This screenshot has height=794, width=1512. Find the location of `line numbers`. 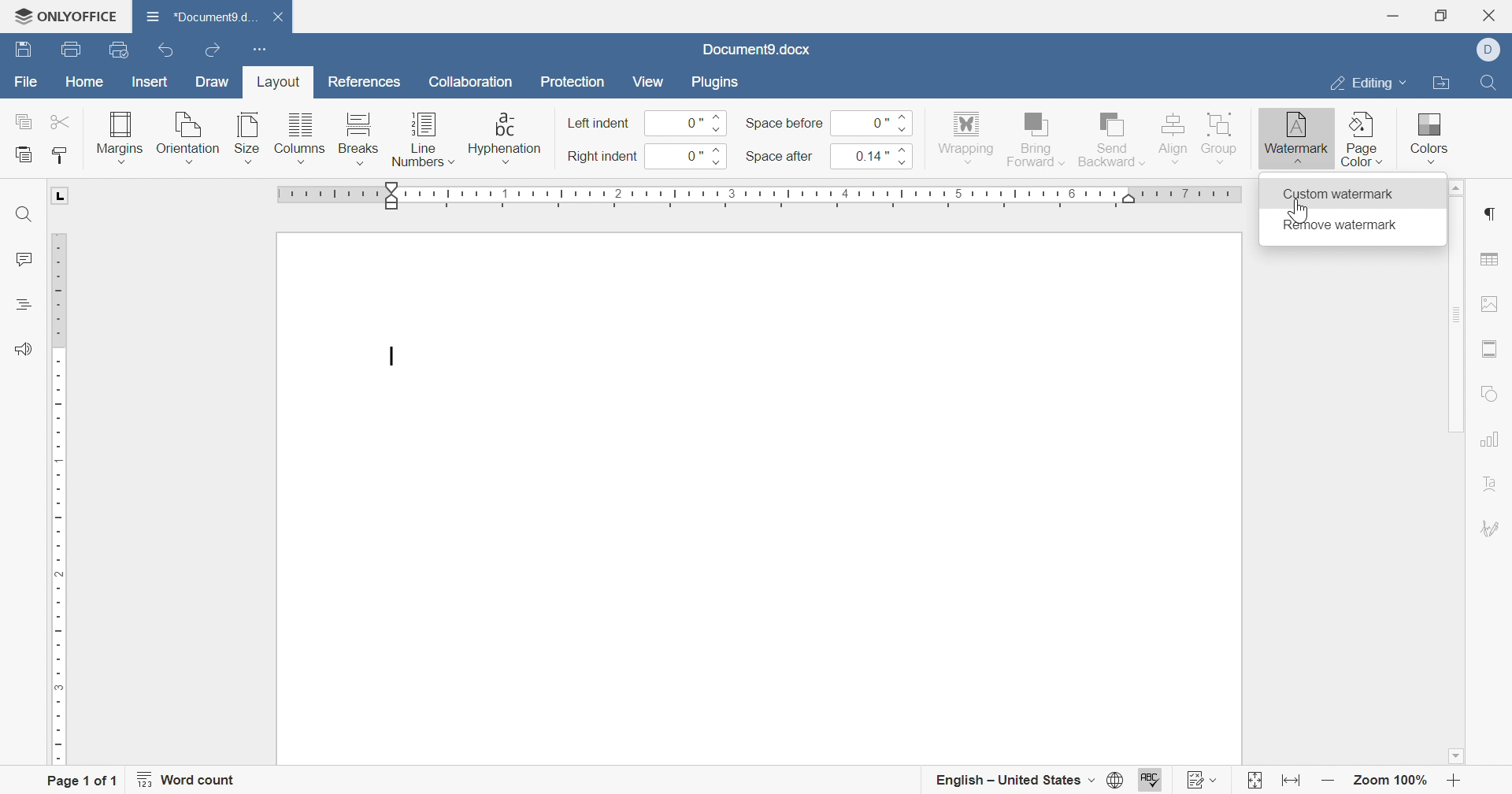

line numbers is located at coordinates (423, 143).